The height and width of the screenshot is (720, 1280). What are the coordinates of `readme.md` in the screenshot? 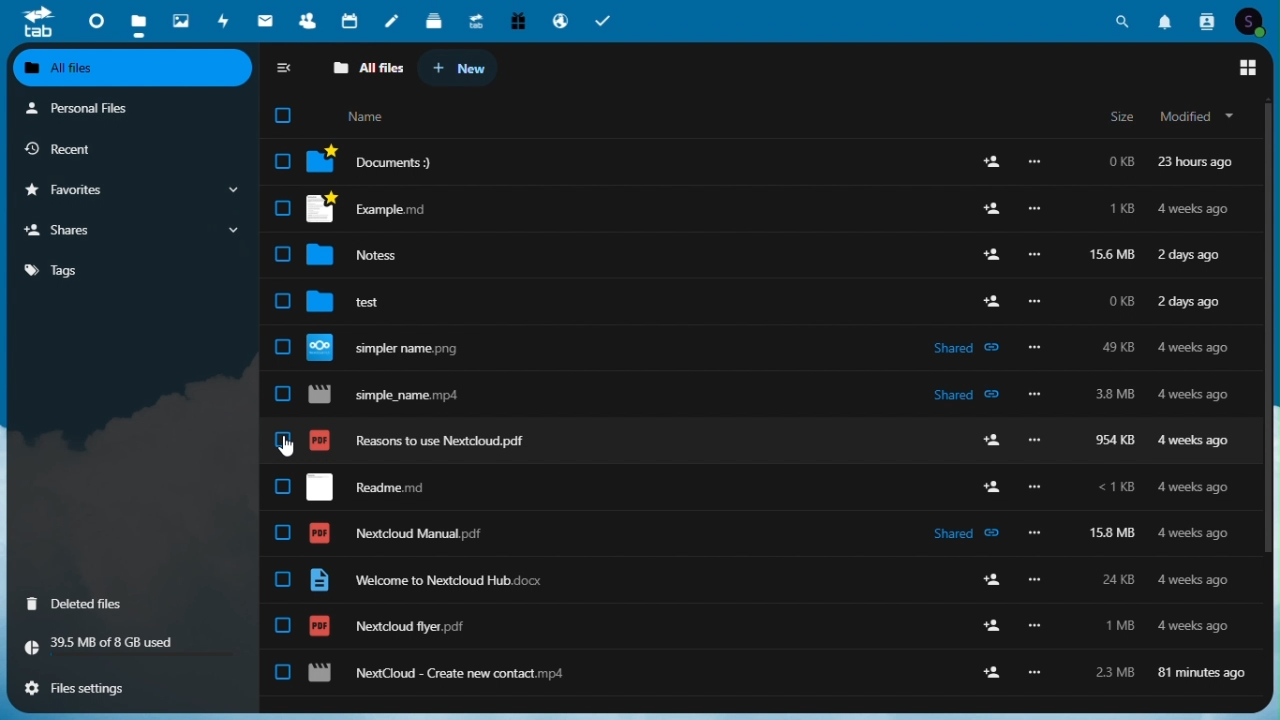 It's located at (365, 486).